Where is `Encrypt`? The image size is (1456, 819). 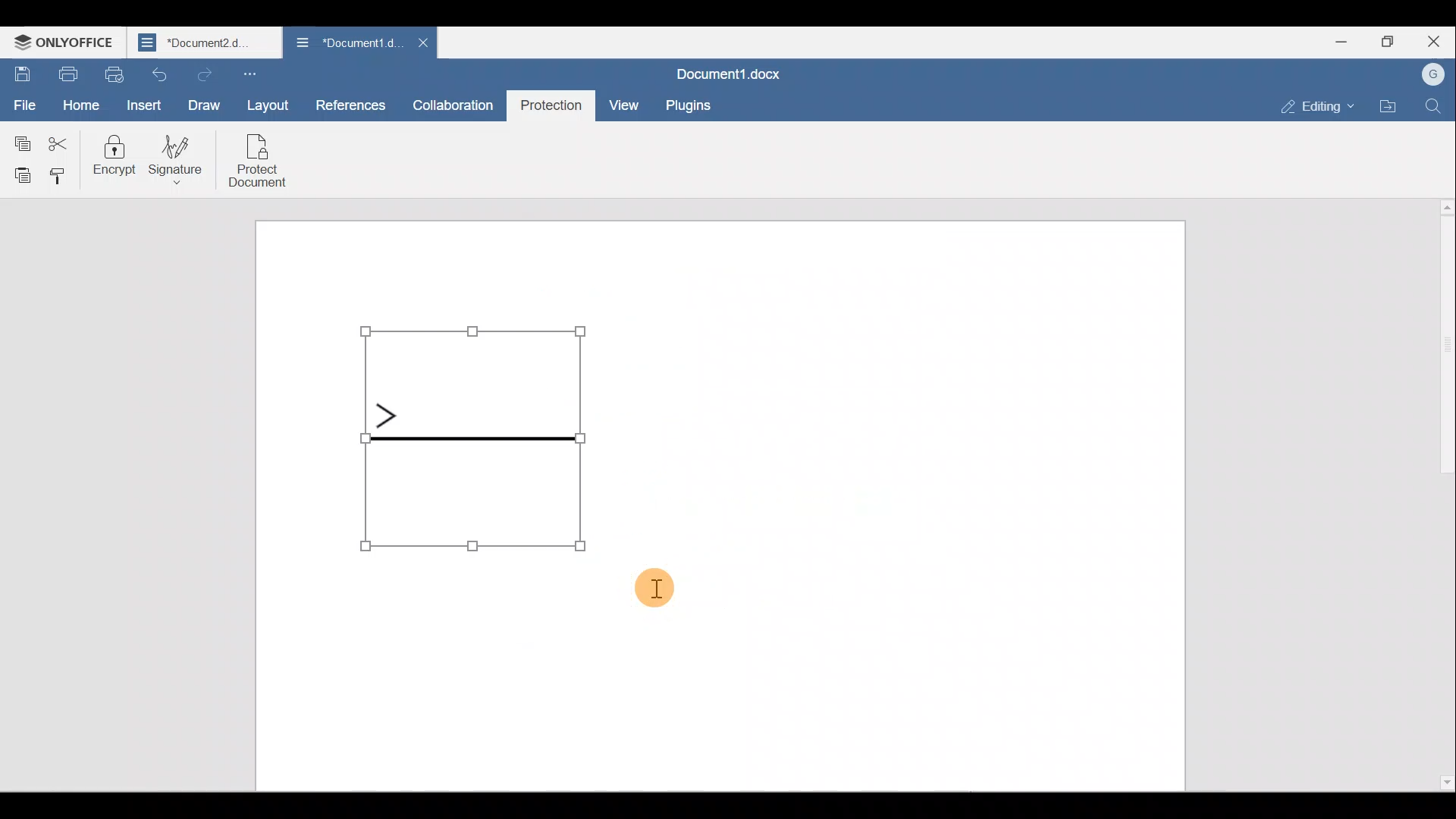 Encrypt is located at coordinates (117, 159).